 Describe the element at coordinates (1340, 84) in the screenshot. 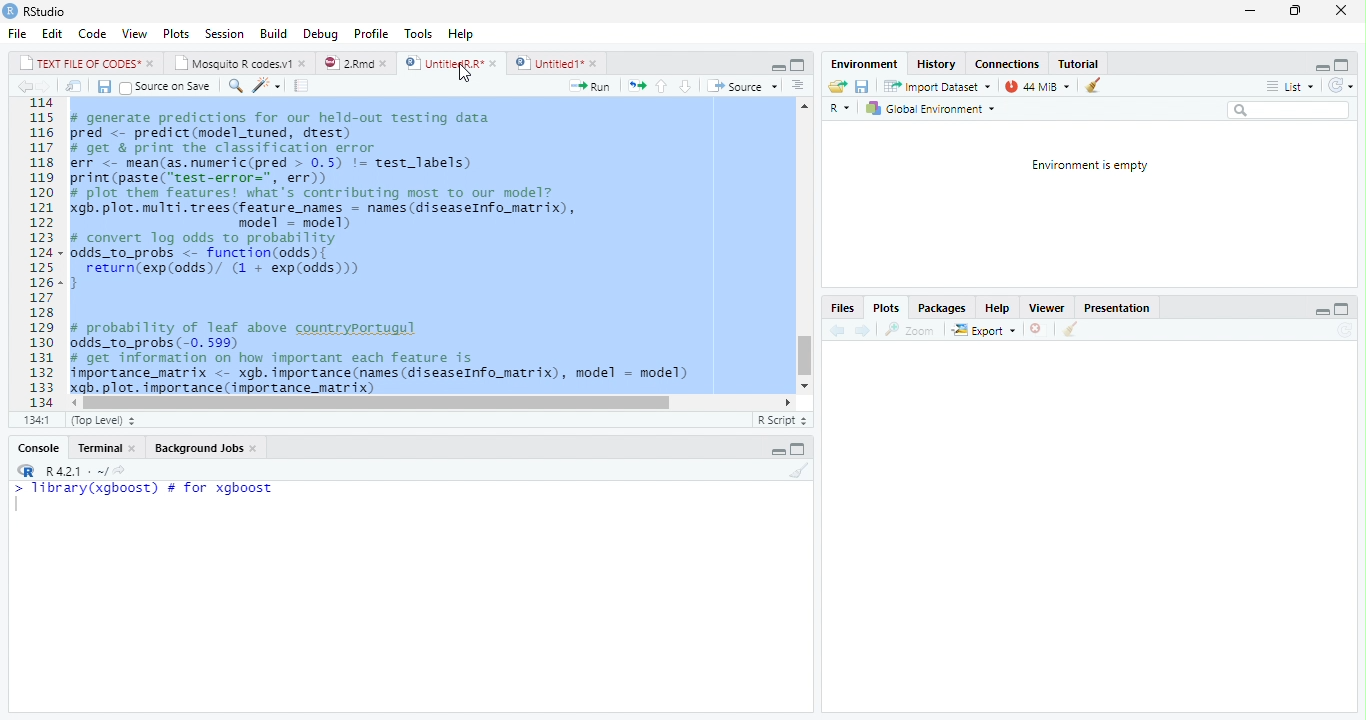

I see `Refresh` at that location.